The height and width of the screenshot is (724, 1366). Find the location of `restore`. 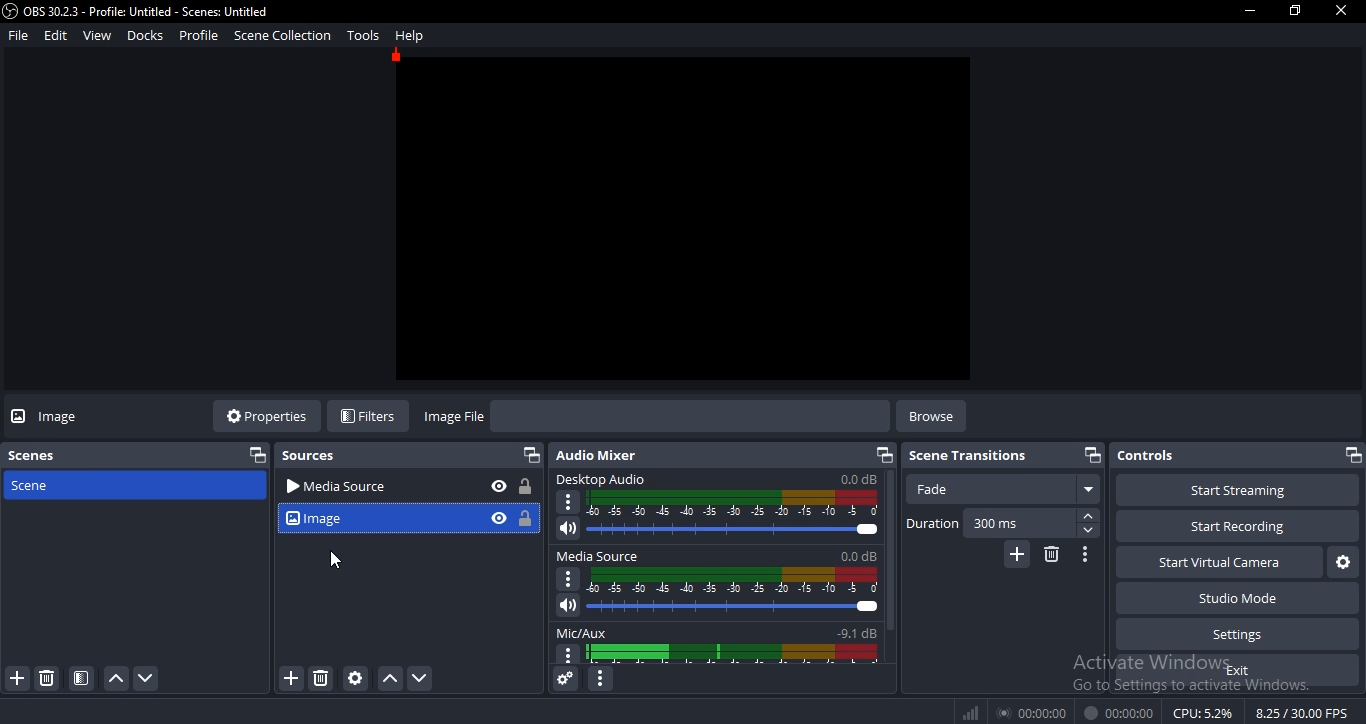

restore is located at coordinates (528, 454).